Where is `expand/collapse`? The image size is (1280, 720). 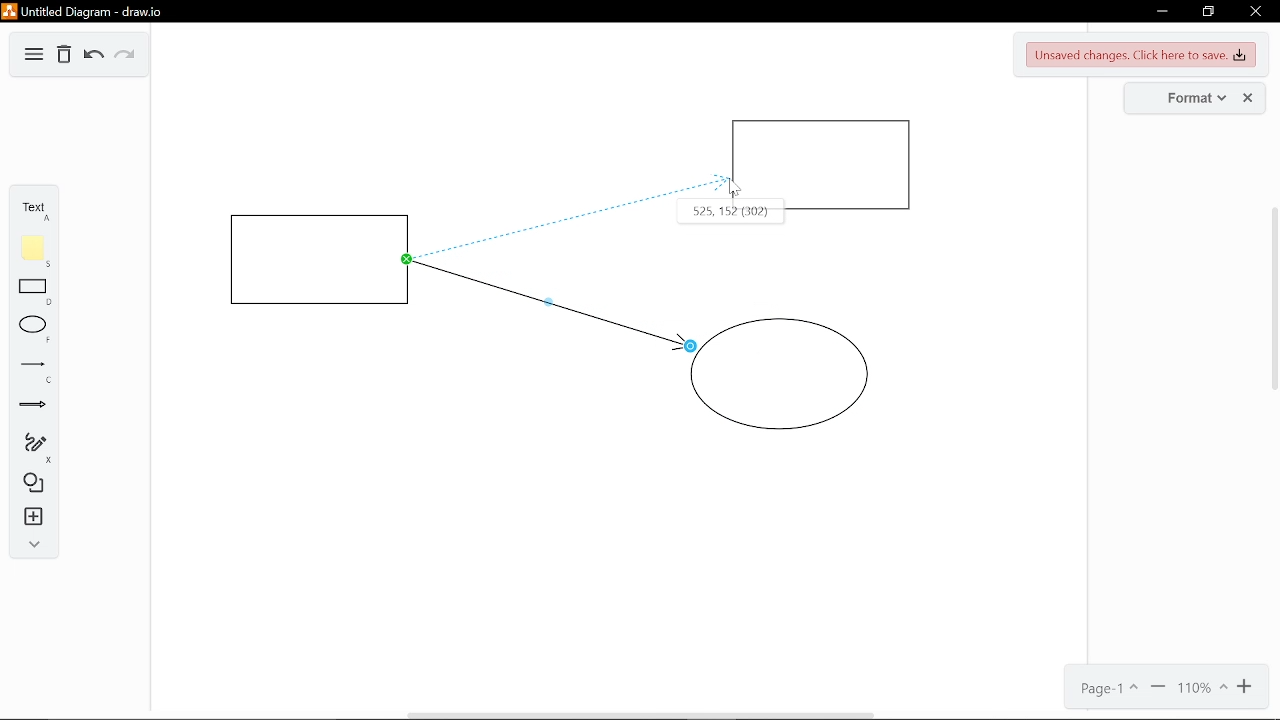
expand/collapse is located at coordinates (31, 547).